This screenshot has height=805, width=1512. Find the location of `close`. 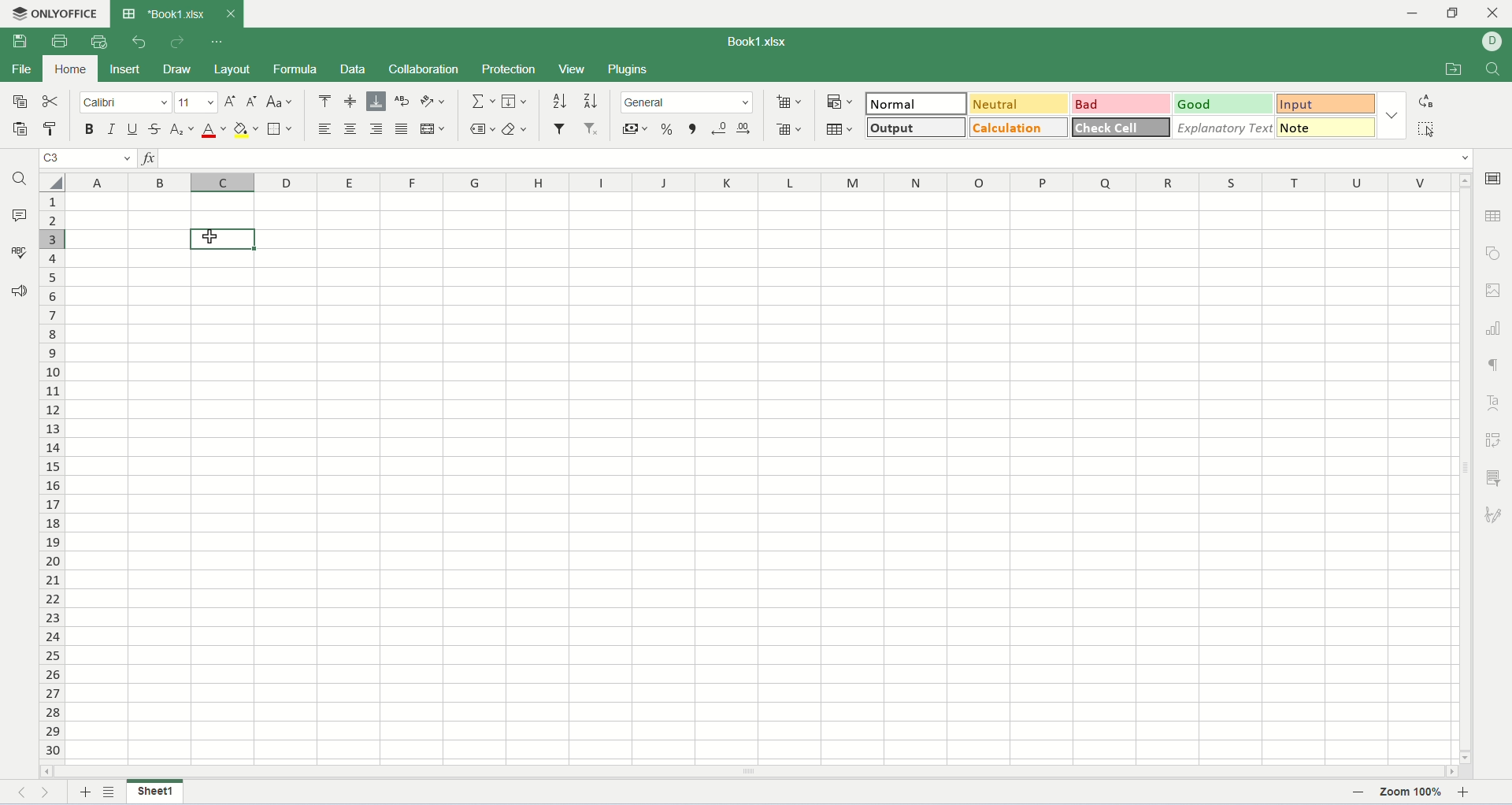

close is located at coordinates (231, 14).